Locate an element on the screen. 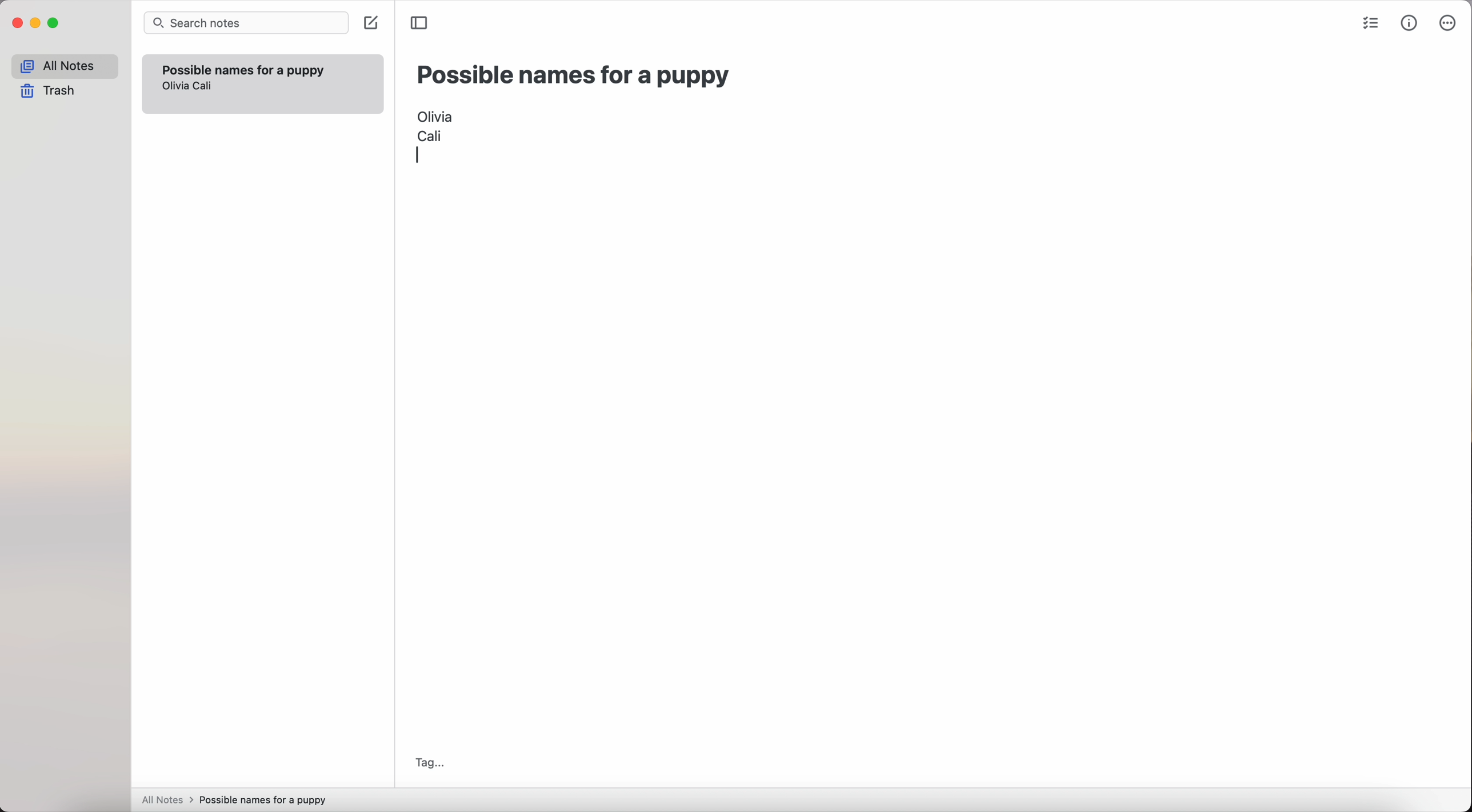  Cali is located at coordinates (430, 135).